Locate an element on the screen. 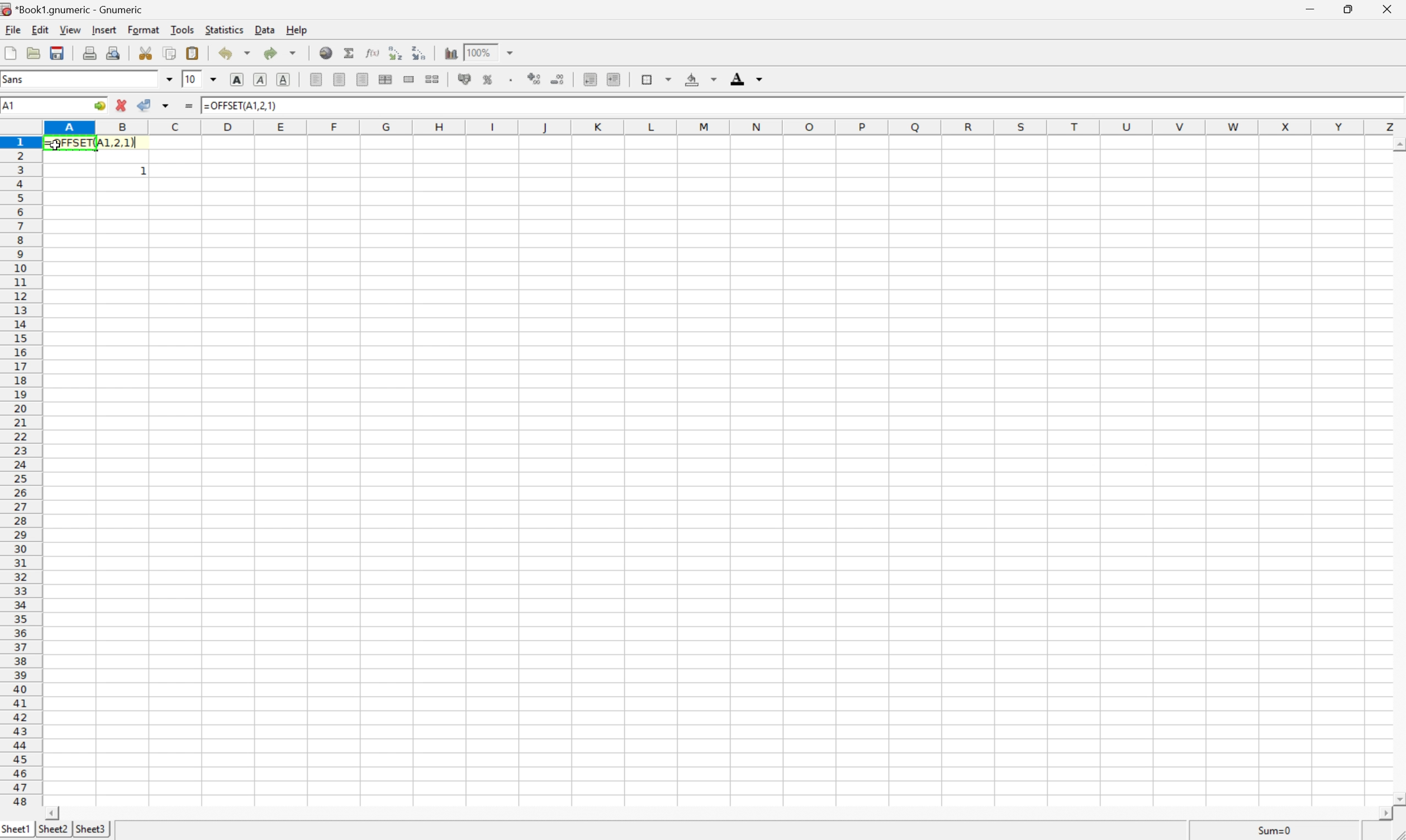 The height and width of the screenshot is (840, 1406). format selection as percentage is located at coordinates (490, 79).